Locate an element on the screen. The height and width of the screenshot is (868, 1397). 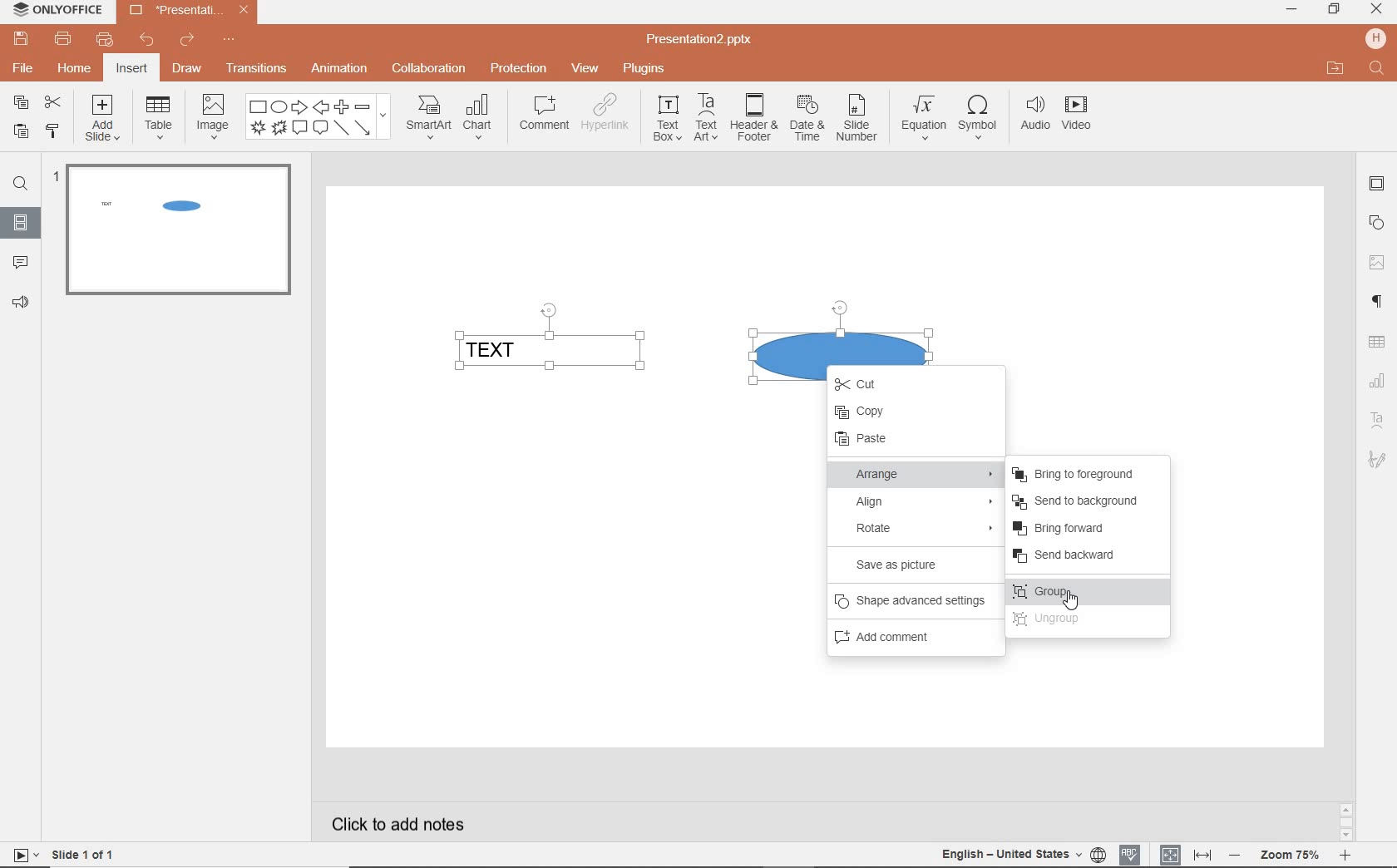
redo is located at coordinates (186, 42).